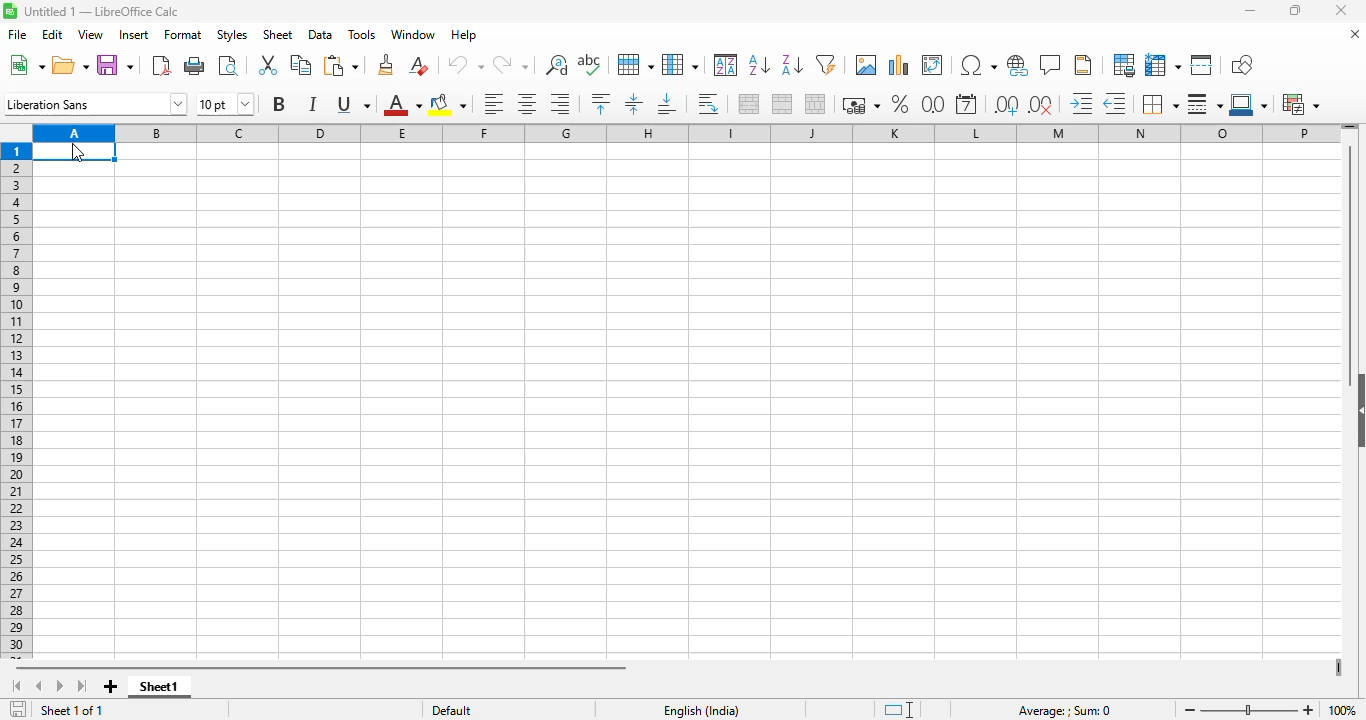  What do you see at coordinates (83, 687) in the screenshot?
I see `scroll to last page` at bounding box center [83, 687].